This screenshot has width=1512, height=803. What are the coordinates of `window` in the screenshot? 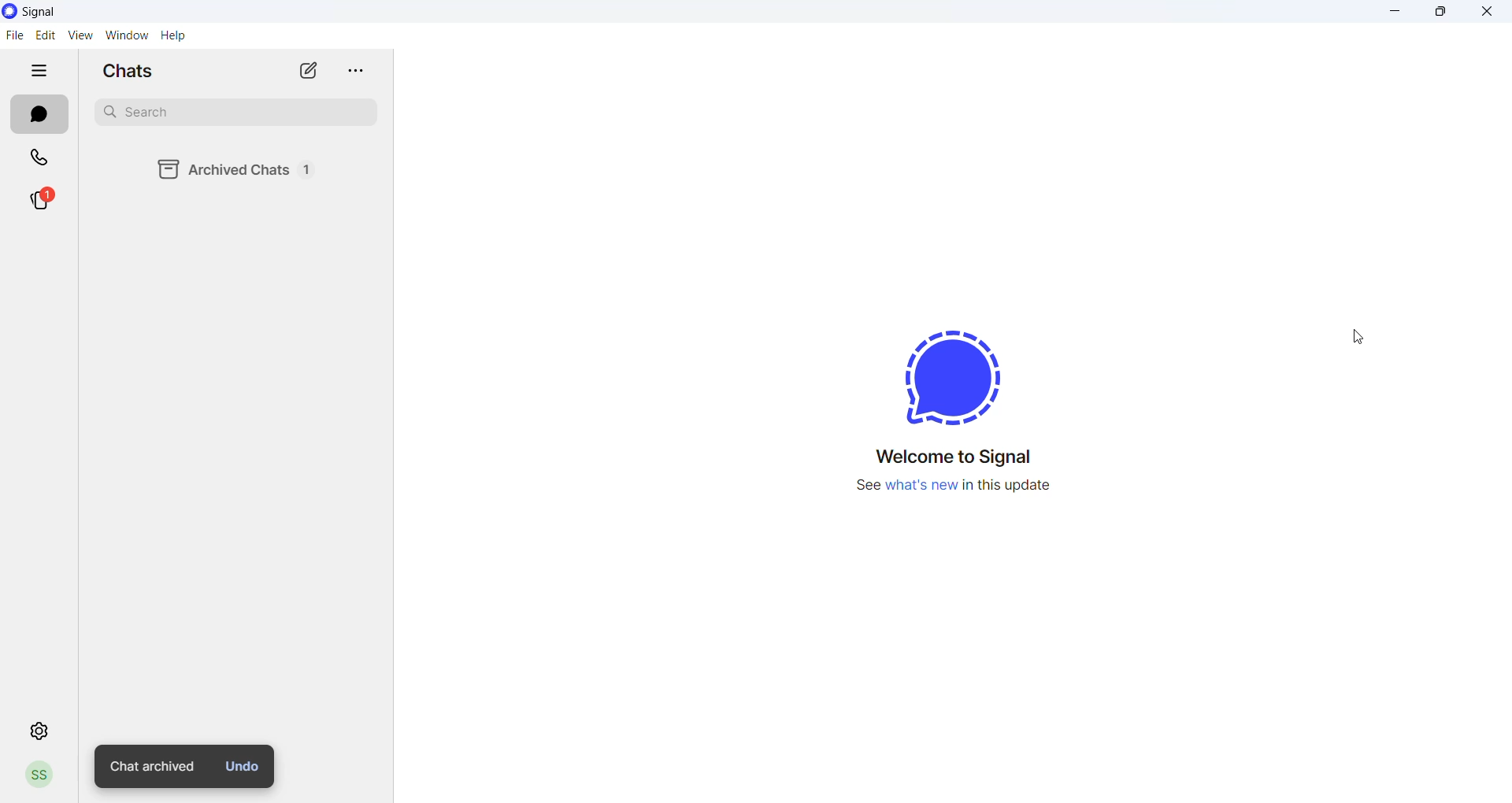 It's located at (125, 35).